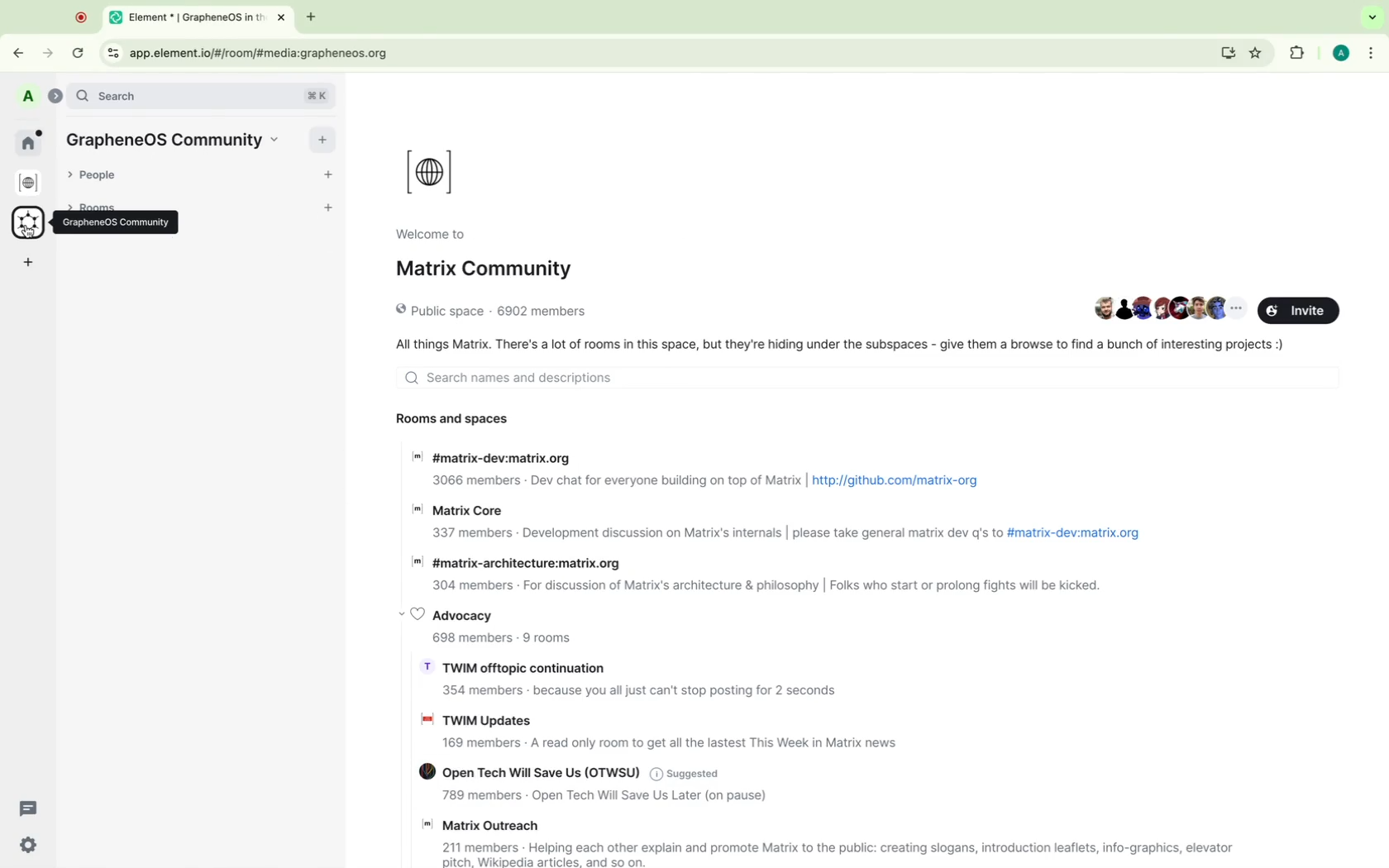  I want to click on home, so click(31, 141).